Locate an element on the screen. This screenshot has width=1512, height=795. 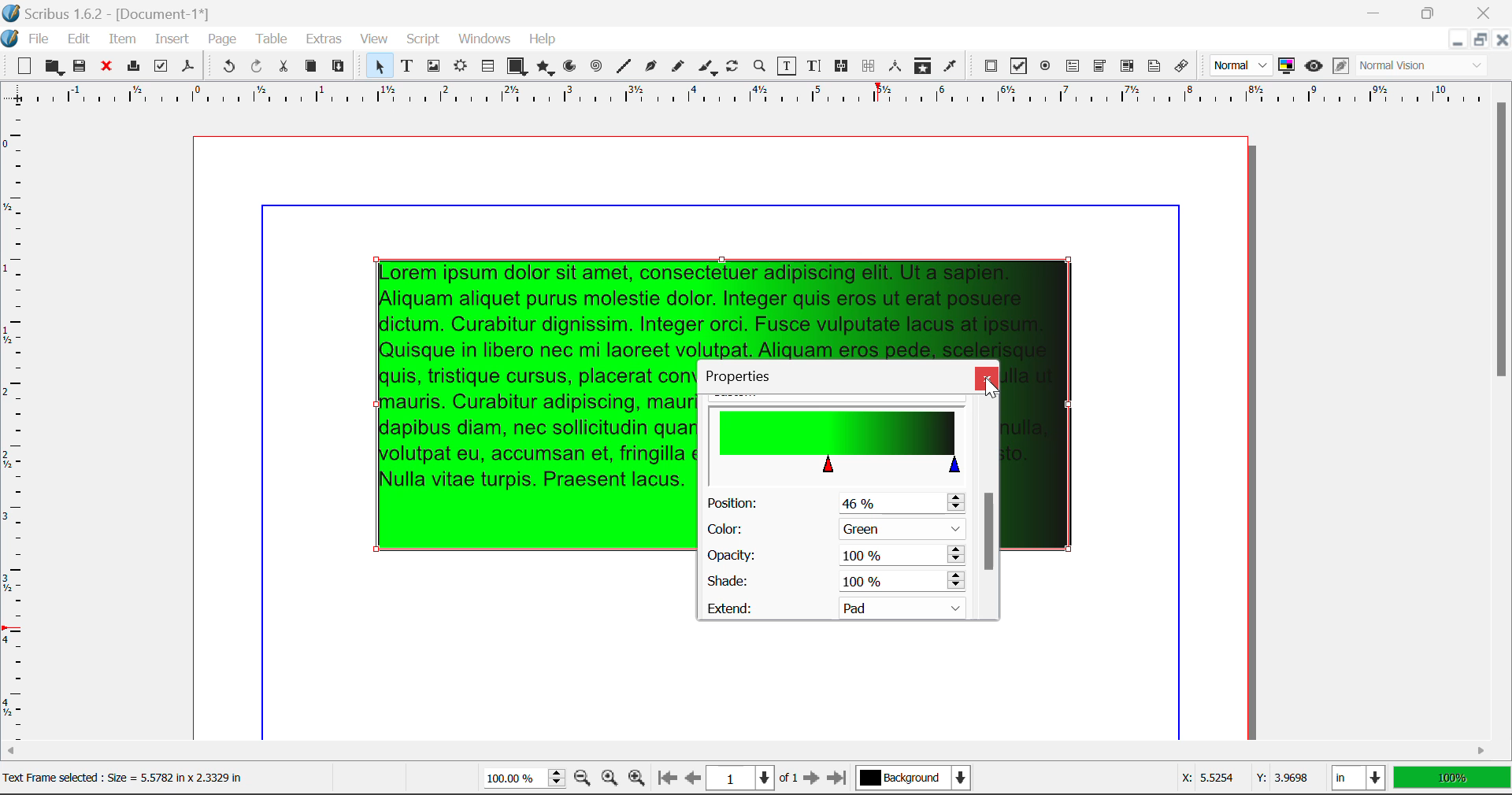
Preflight Verifier is located at coordinates (161, 68).